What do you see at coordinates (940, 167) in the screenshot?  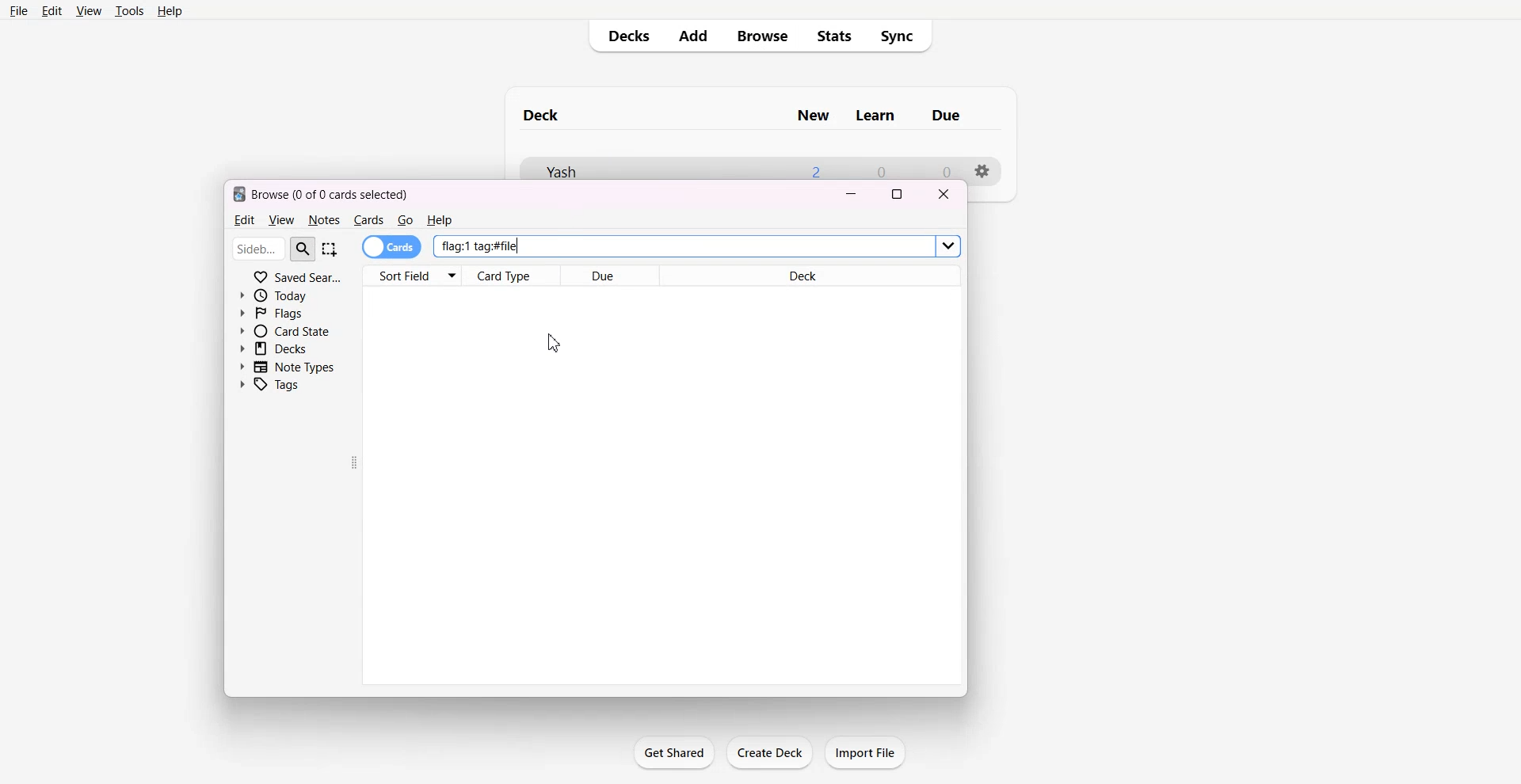 I see `0` at bounding box center [940, 167].